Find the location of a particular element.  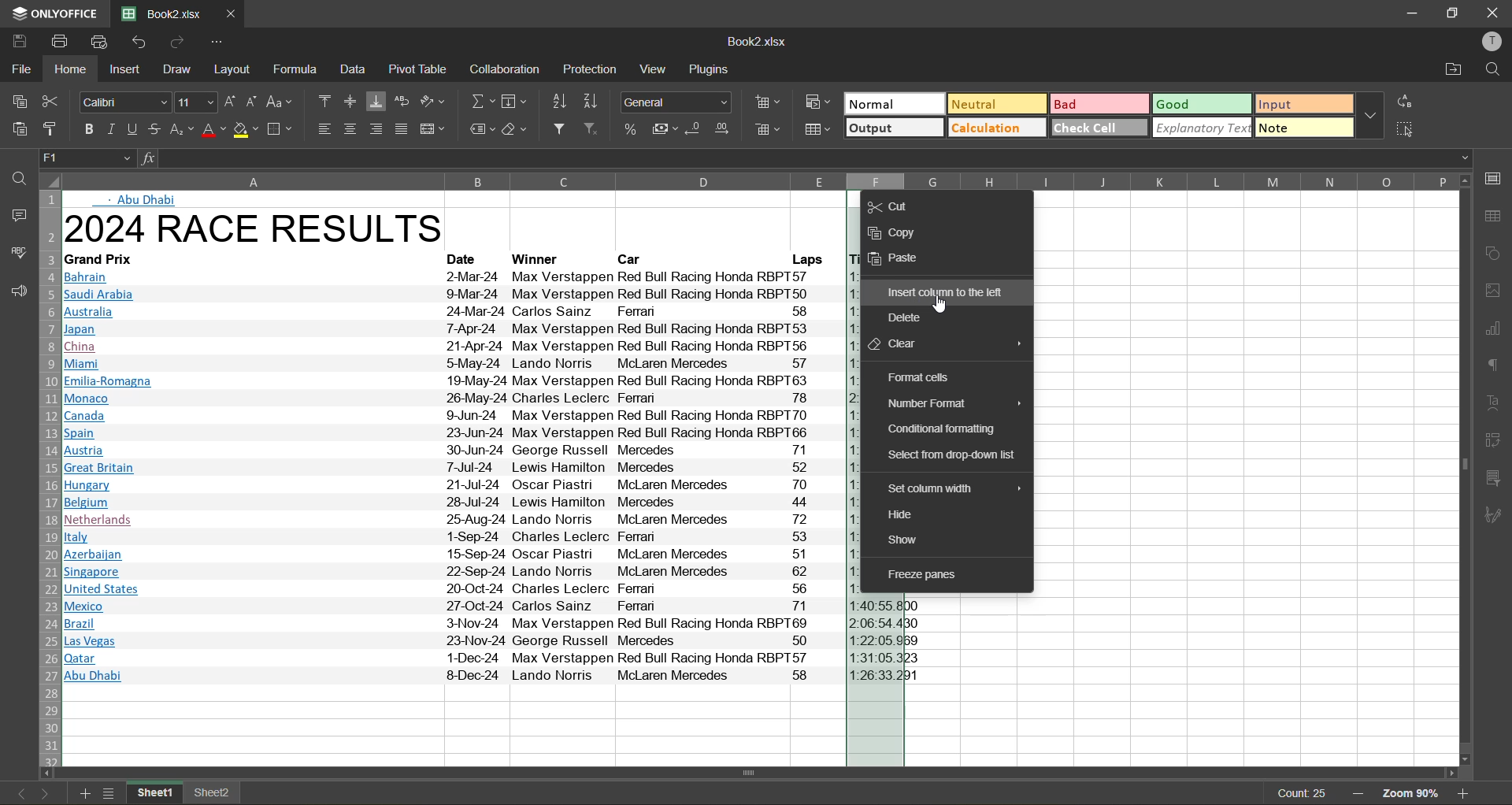

check cell is located at coordinates (1100, 128).